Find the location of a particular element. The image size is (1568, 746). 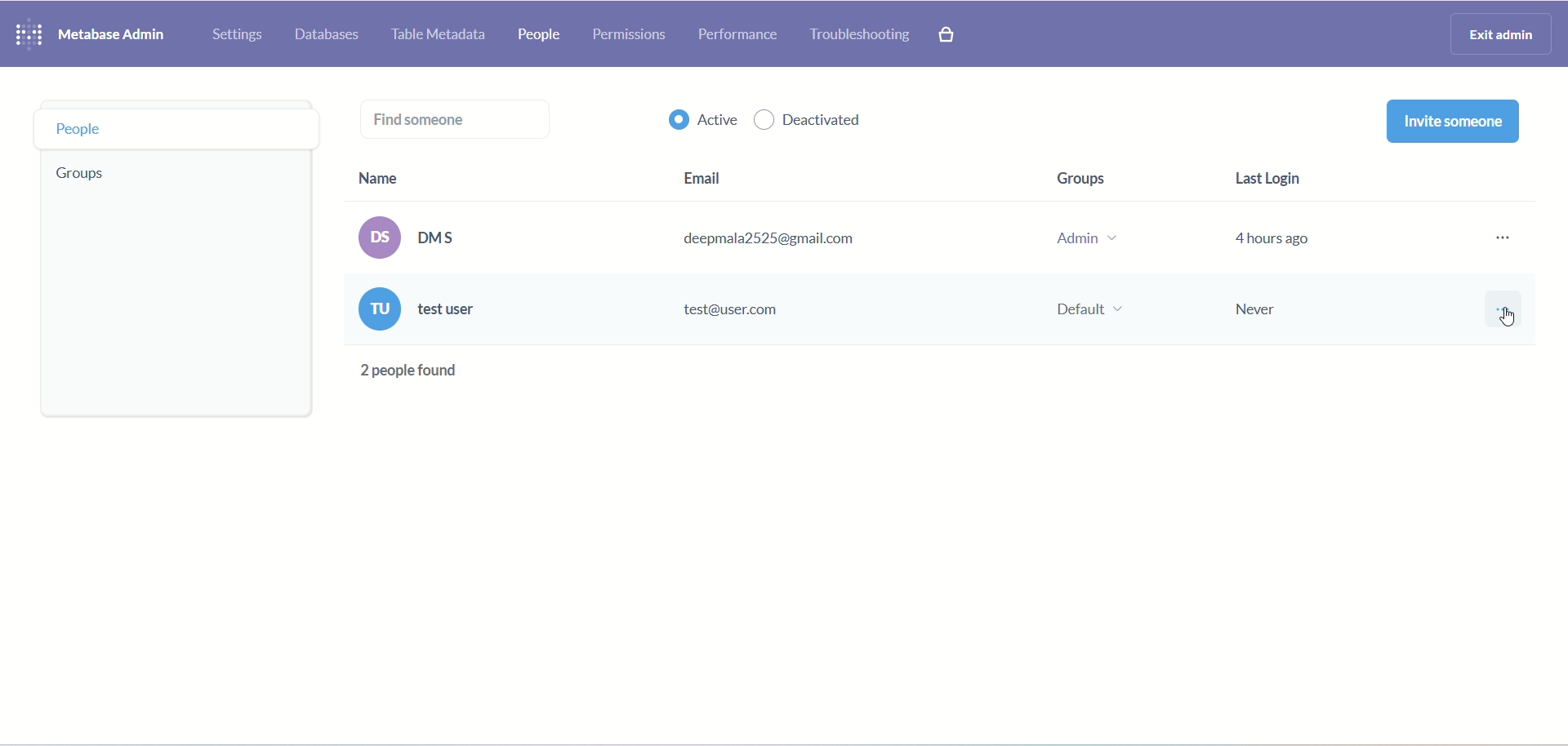

people is located at coordinates (546, 34).